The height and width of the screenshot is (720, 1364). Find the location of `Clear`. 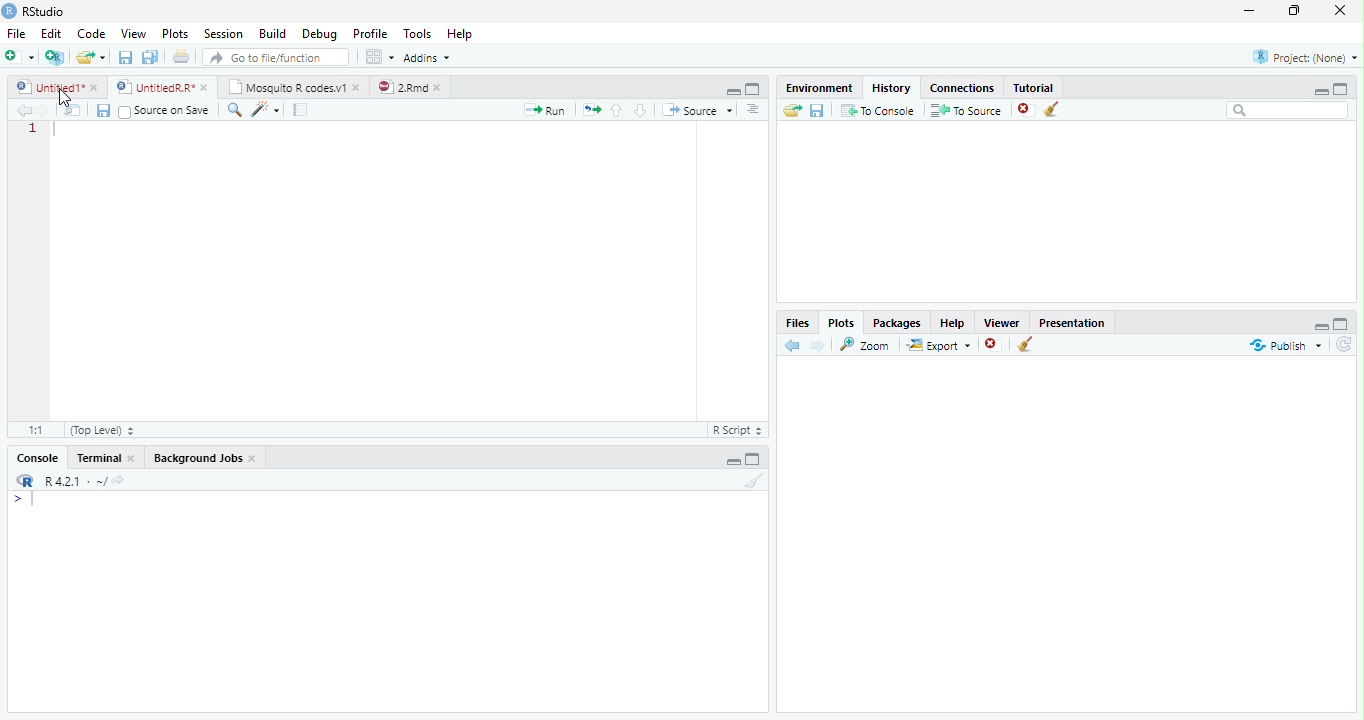

Clear is located at coordinates (751, 481).